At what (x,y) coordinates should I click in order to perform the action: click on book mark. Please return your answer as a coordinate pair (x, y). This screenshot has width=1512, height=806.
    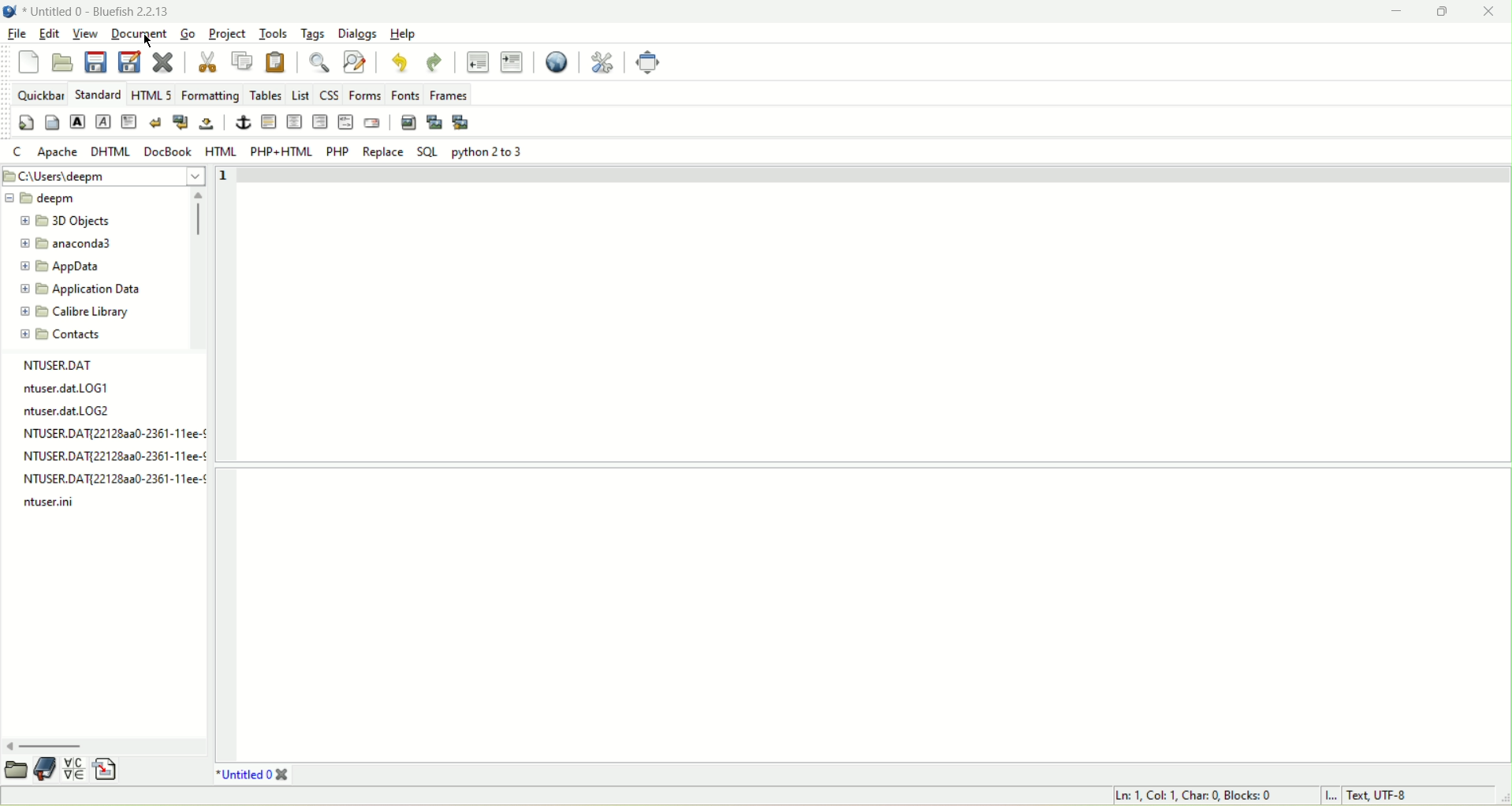
    Looking at the image, I should click on (47, 769).